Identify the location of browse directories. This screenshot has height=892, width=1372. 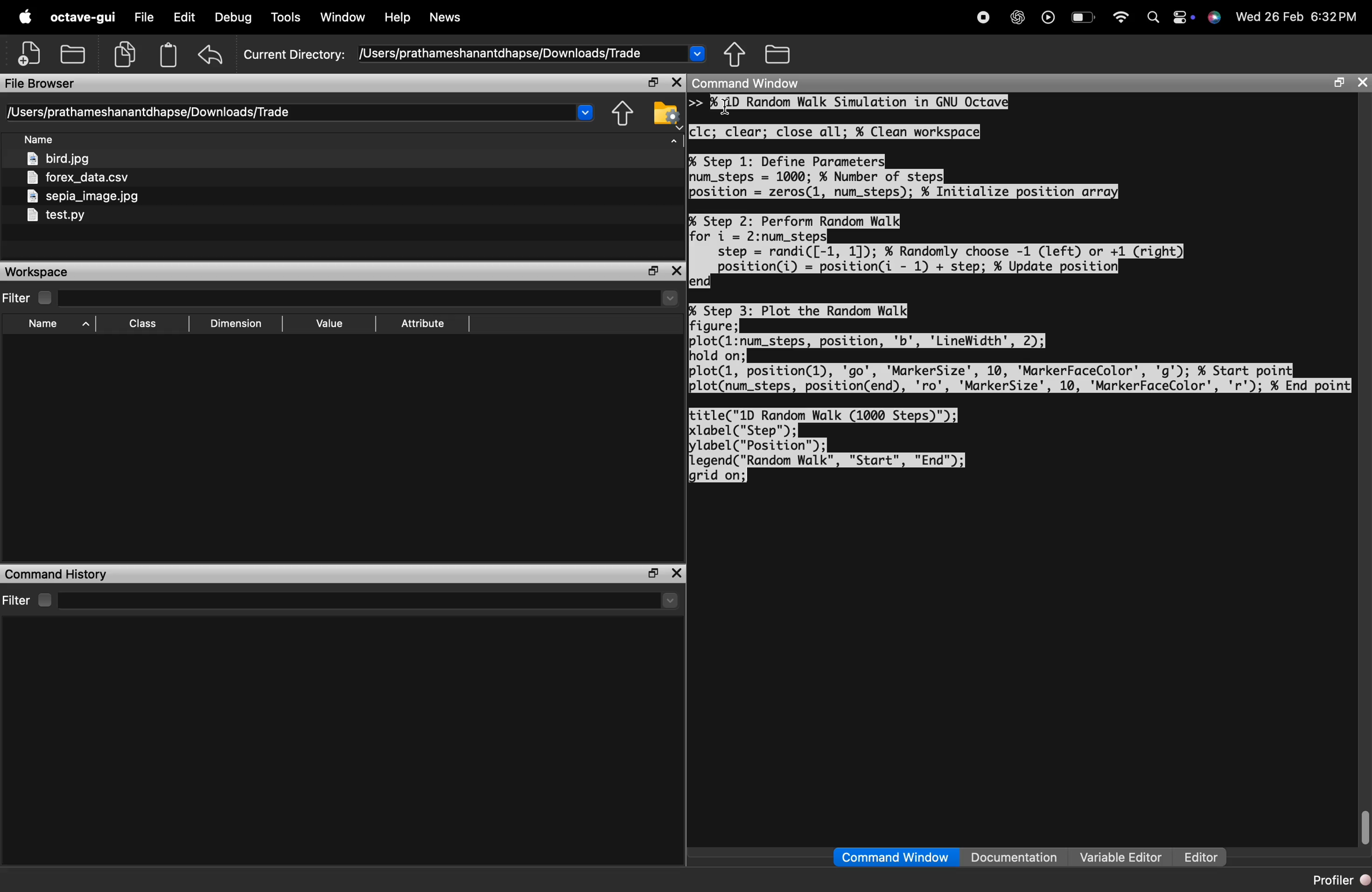
(778, 55).